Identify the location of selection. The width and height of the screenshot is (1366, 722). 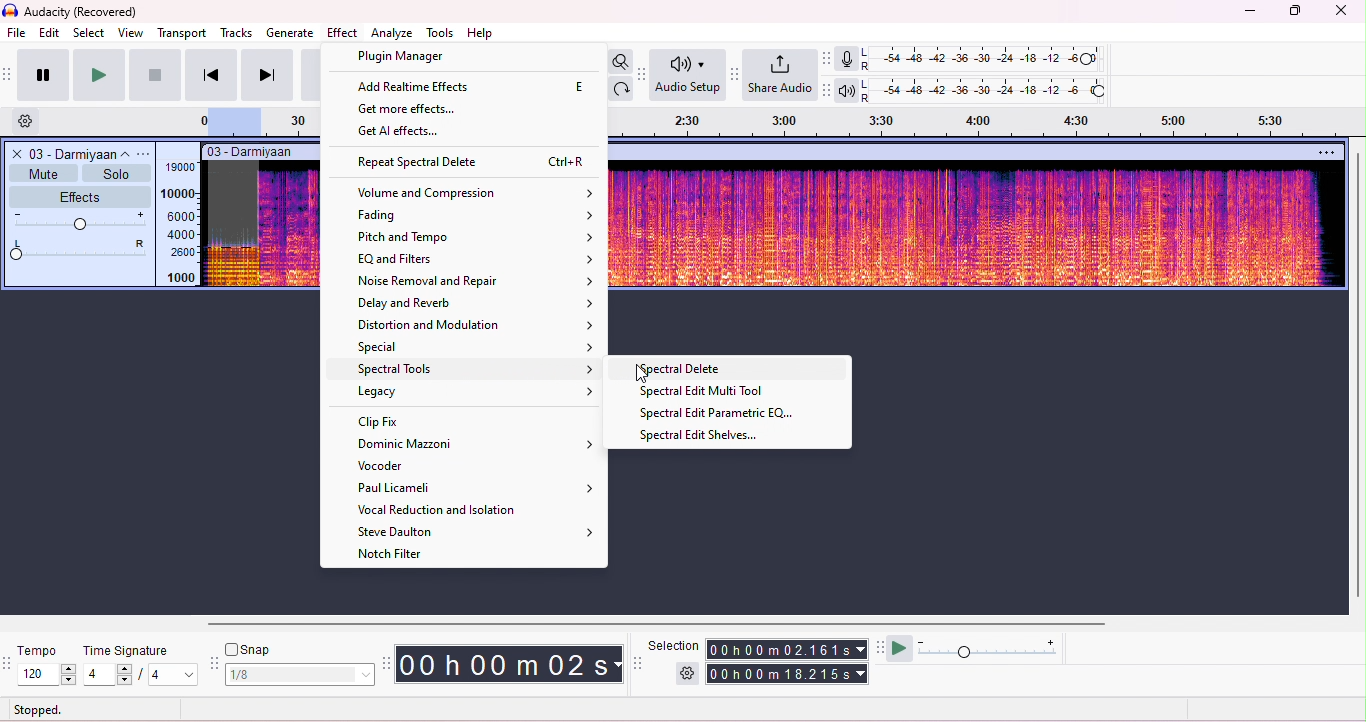
(675, 645).